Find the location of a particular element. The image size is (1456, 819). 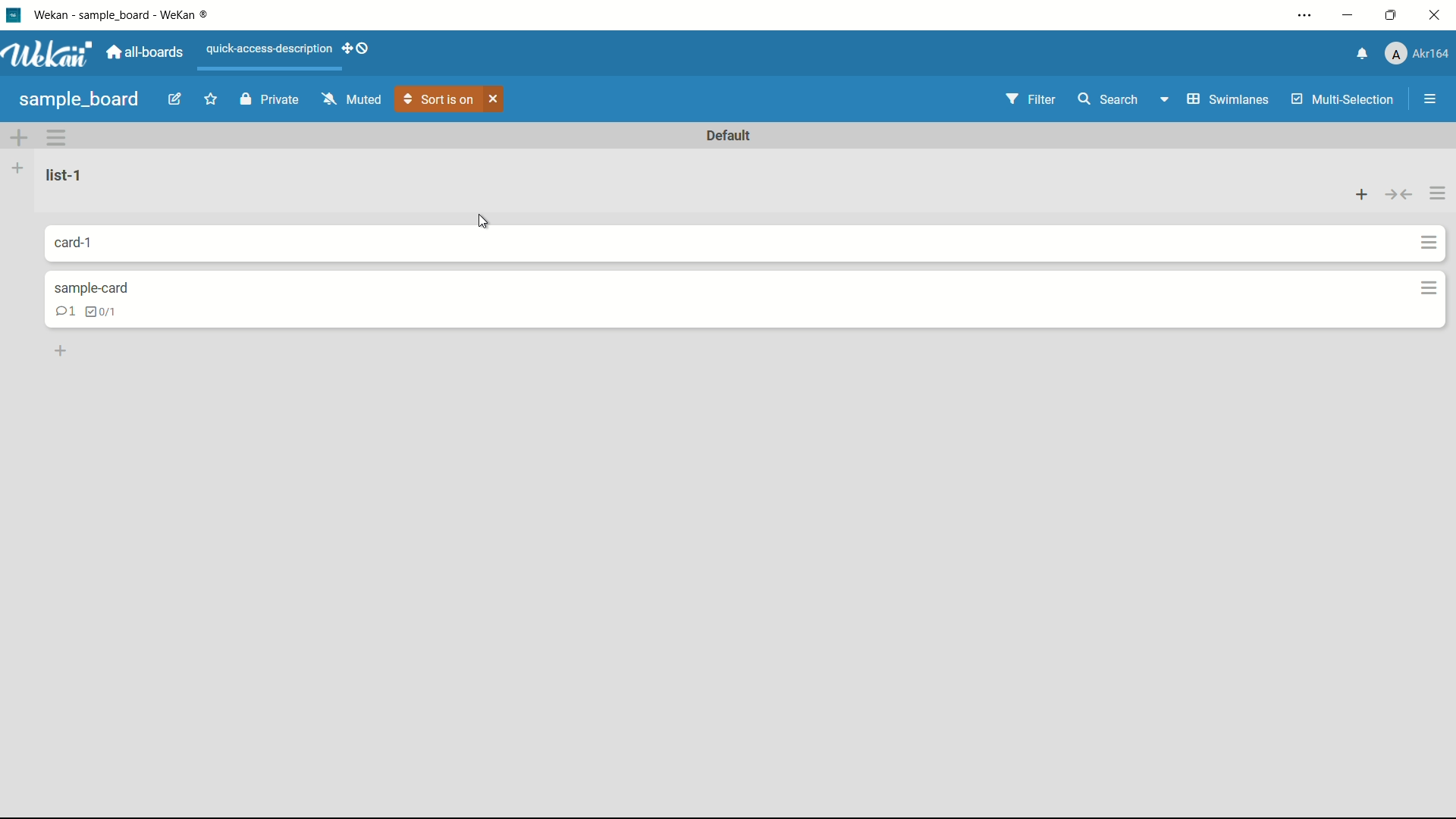

add card is located at coordinates (1363, 195).